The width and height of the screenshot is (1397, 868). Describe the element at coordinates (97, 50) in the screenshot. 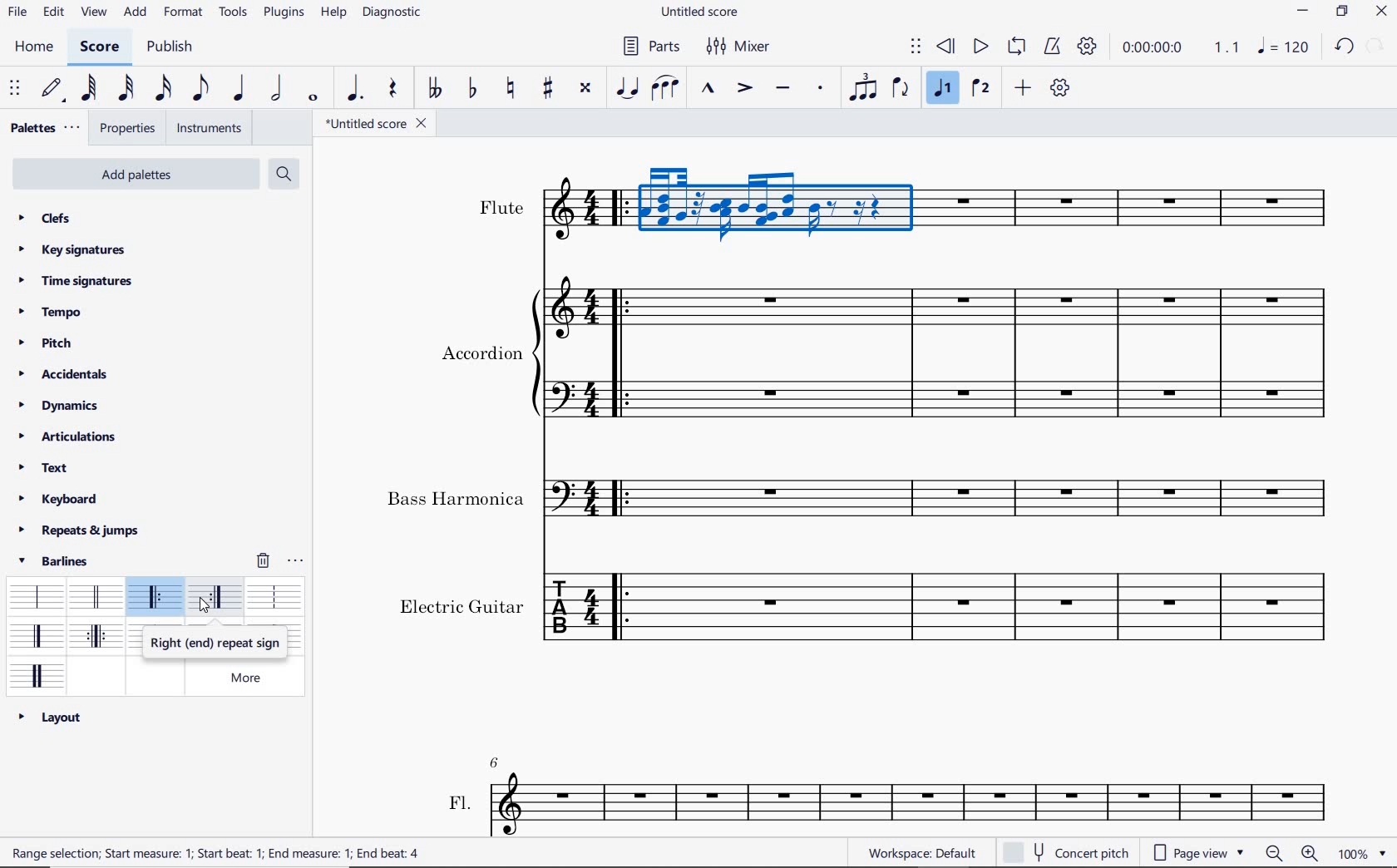

I see `SCORE` at that location.